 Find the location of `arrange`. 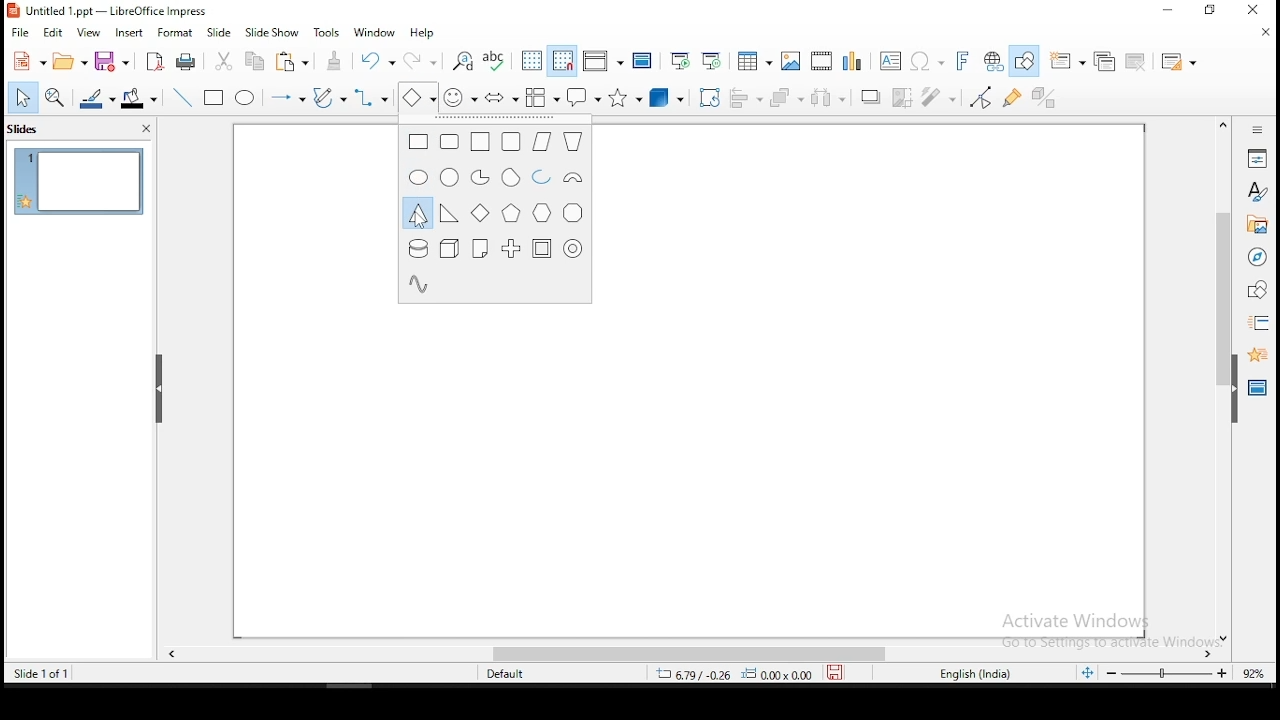

arrange is located at coordinates (789, 97).